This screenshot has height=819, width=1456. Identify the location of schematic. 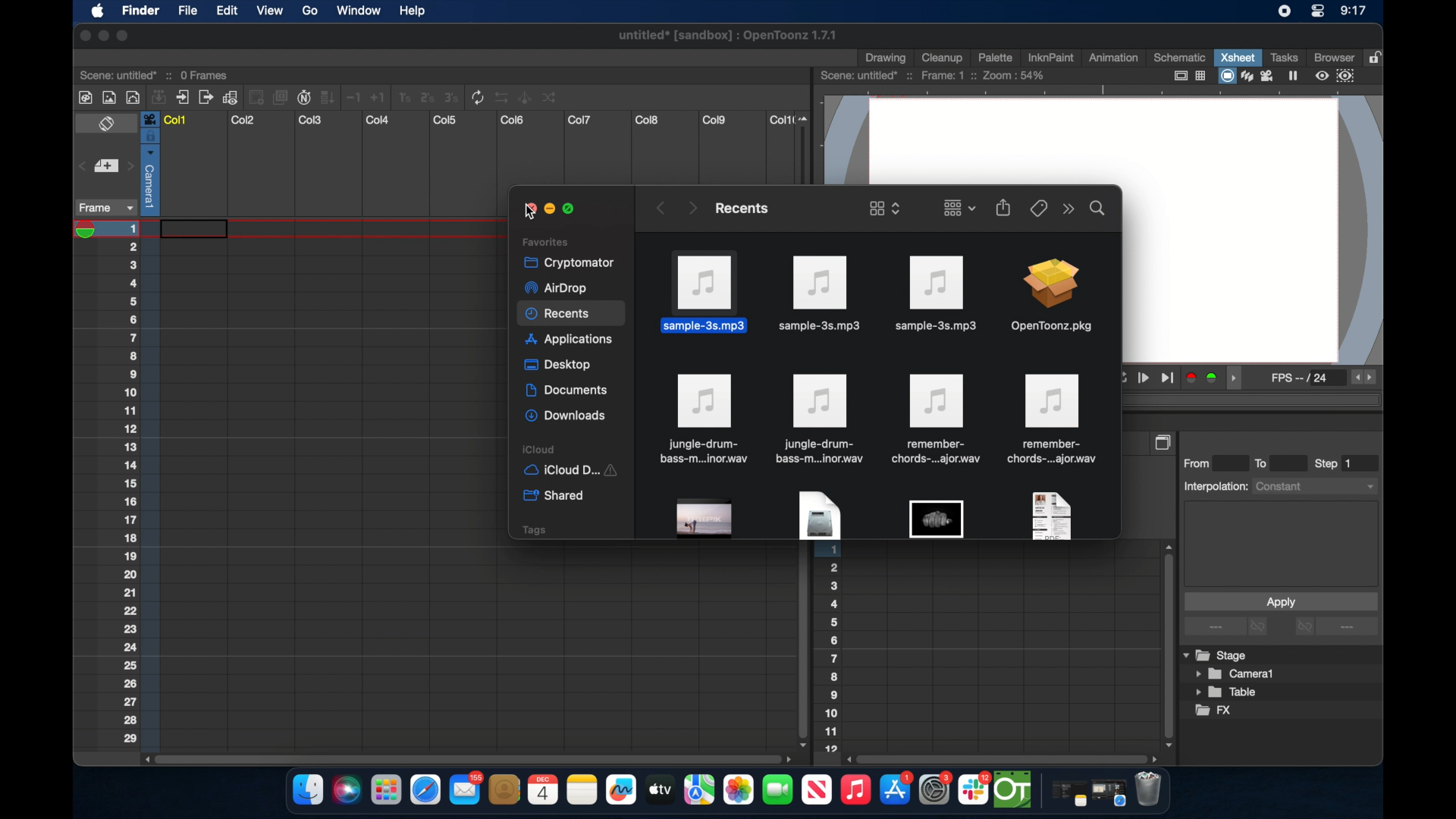
(1180, 57).